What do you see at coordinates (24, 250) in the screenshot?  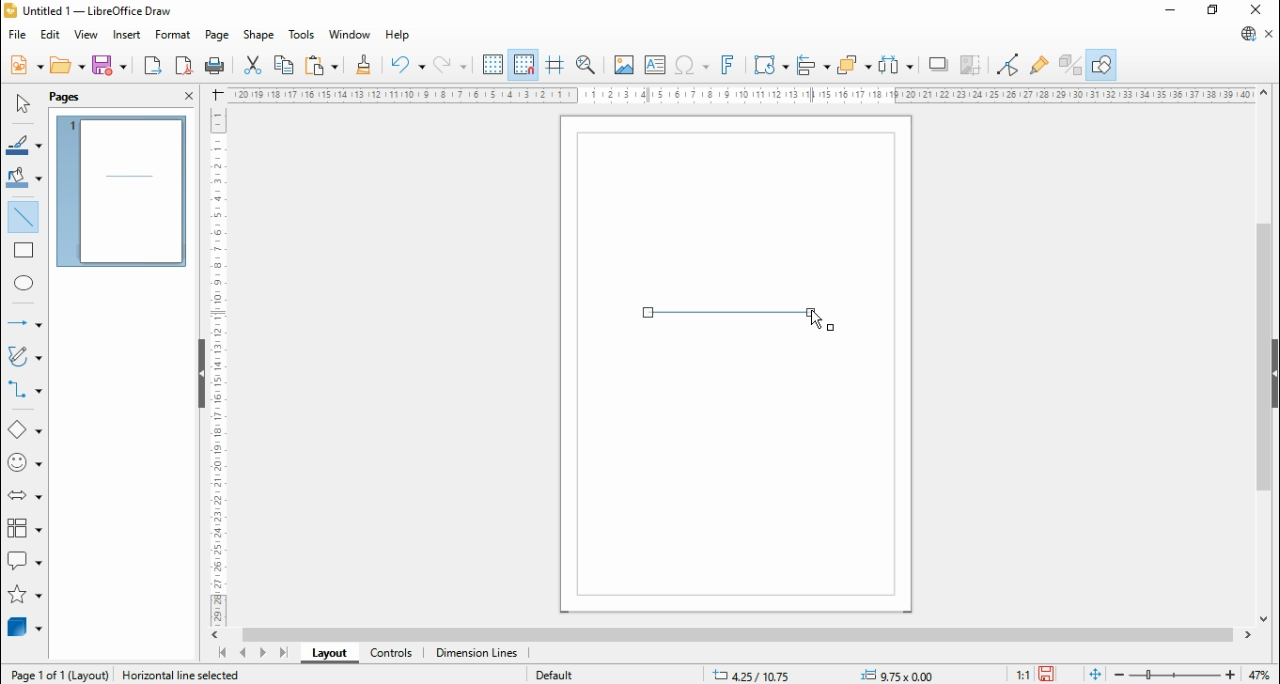 I see `rectangle` at bounding box center [24, 250].